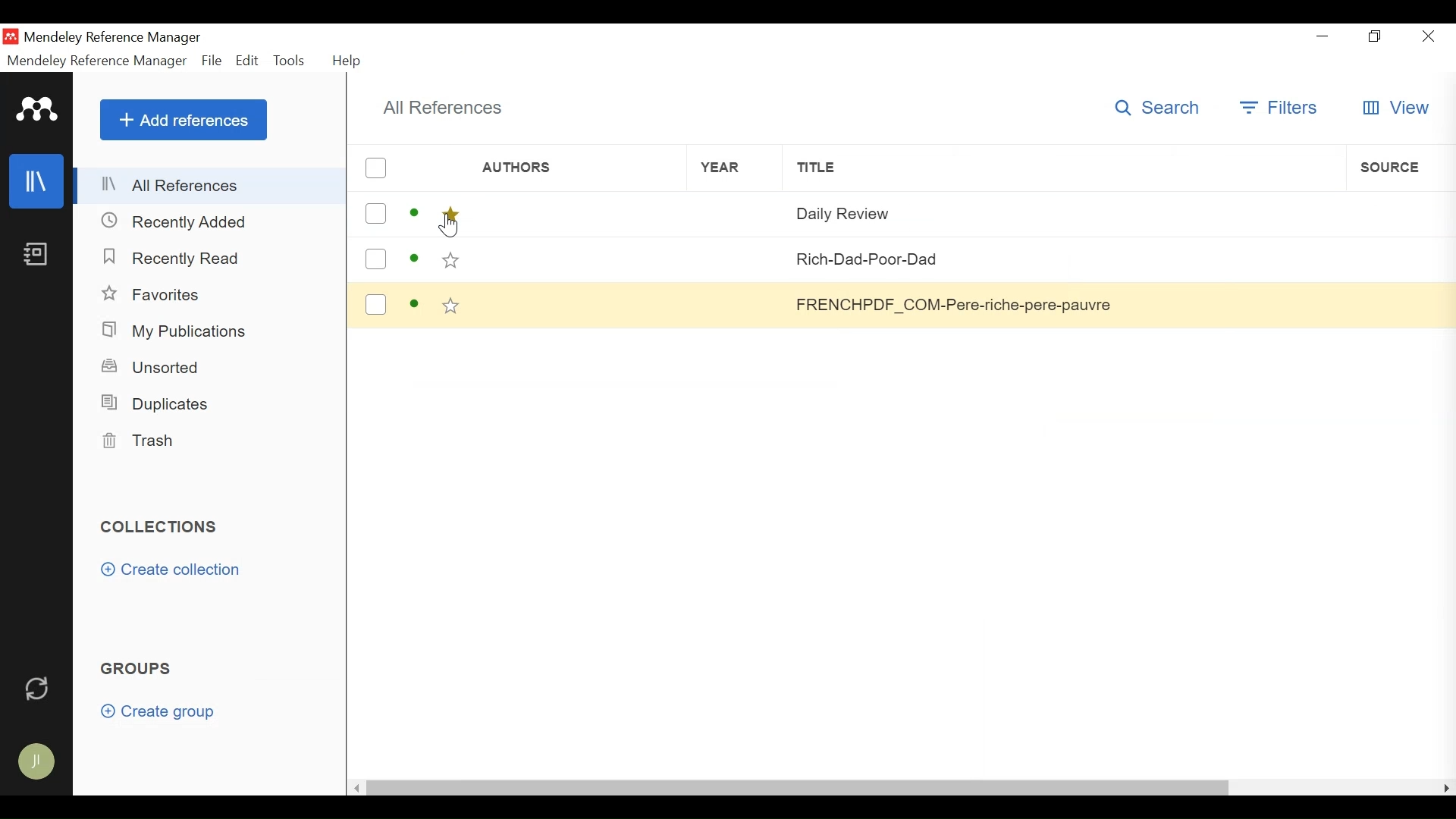 The image size is (1456, 819). I want to click on View, so click(1398, 107).